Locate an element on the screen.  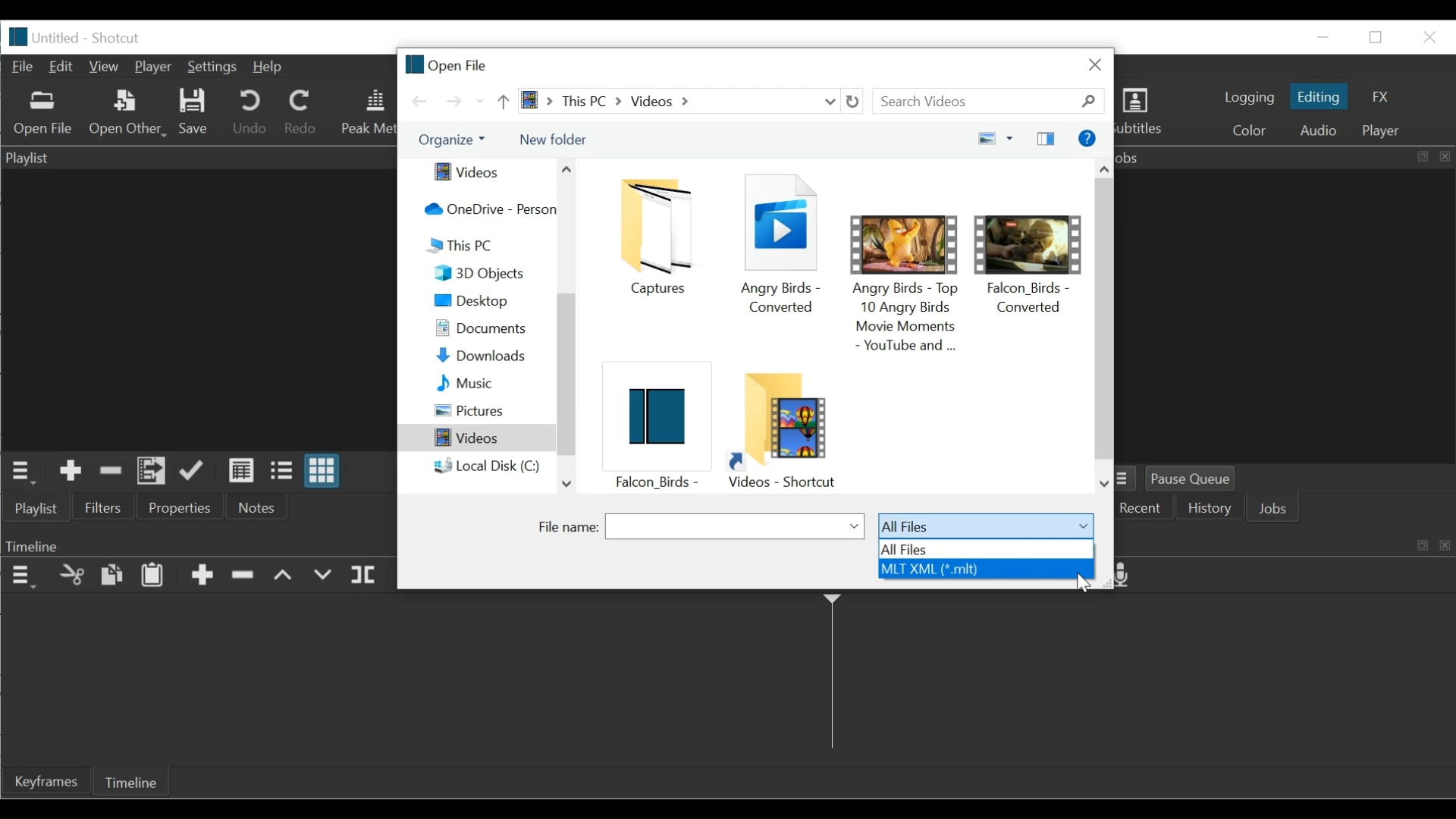
Videos is located at coordinates (479, 173).